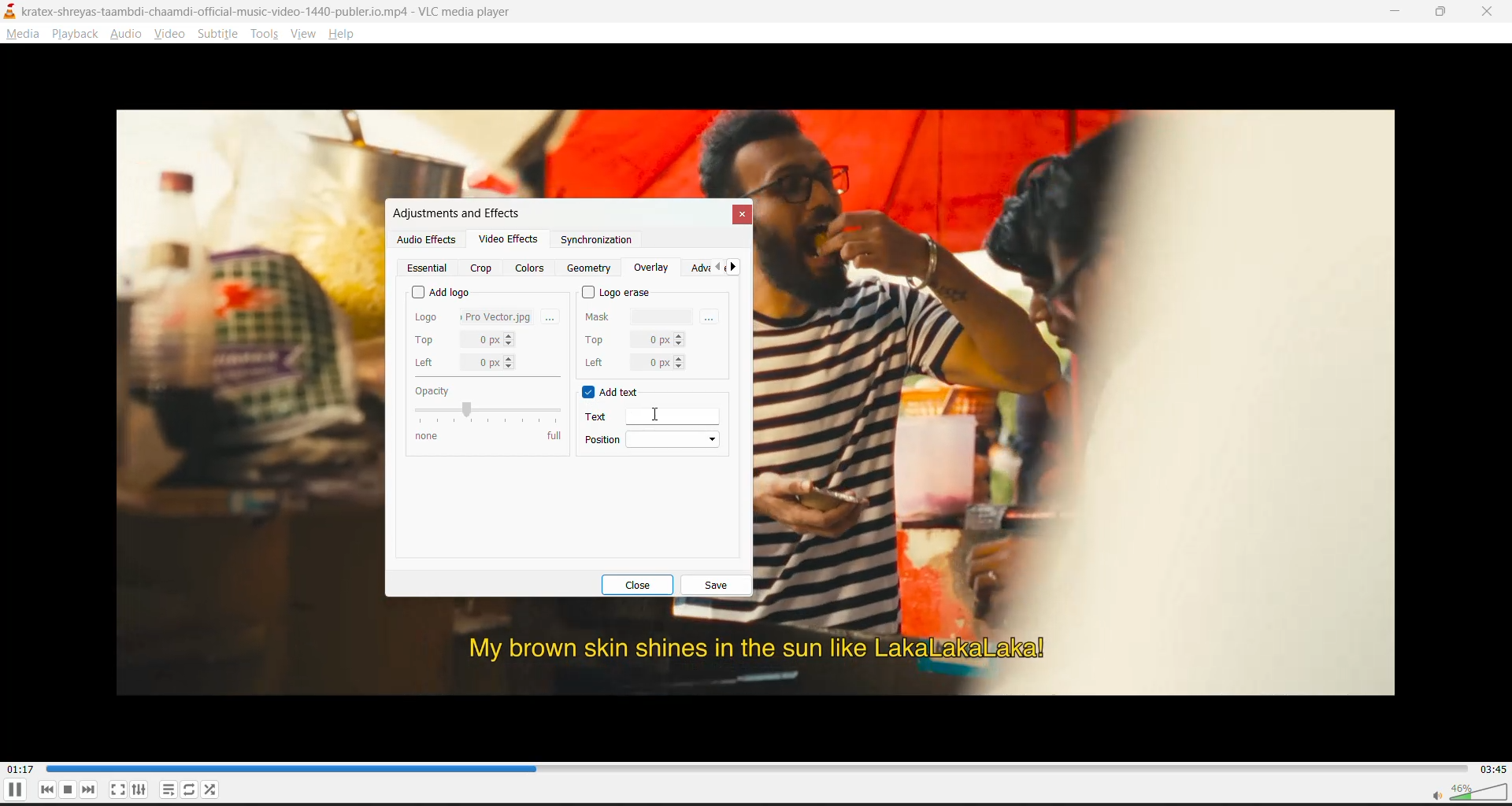  What do you see at coordinates (737, 268) in the screenshot?
I see `next` at bounding box center [737, 268].